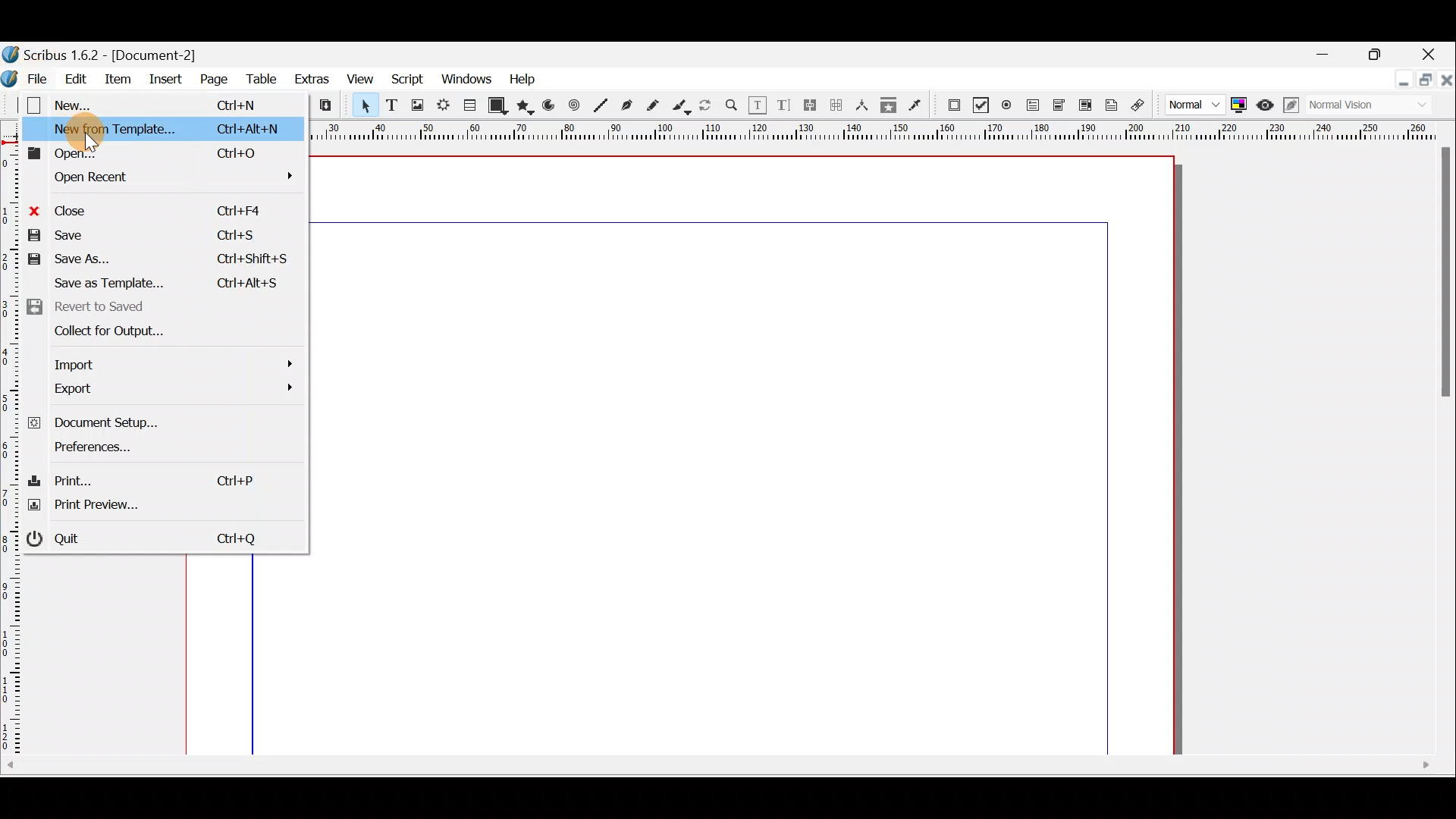  Describe the element at coordinates (359, 80) in the screenshot. I see `View` at that location.